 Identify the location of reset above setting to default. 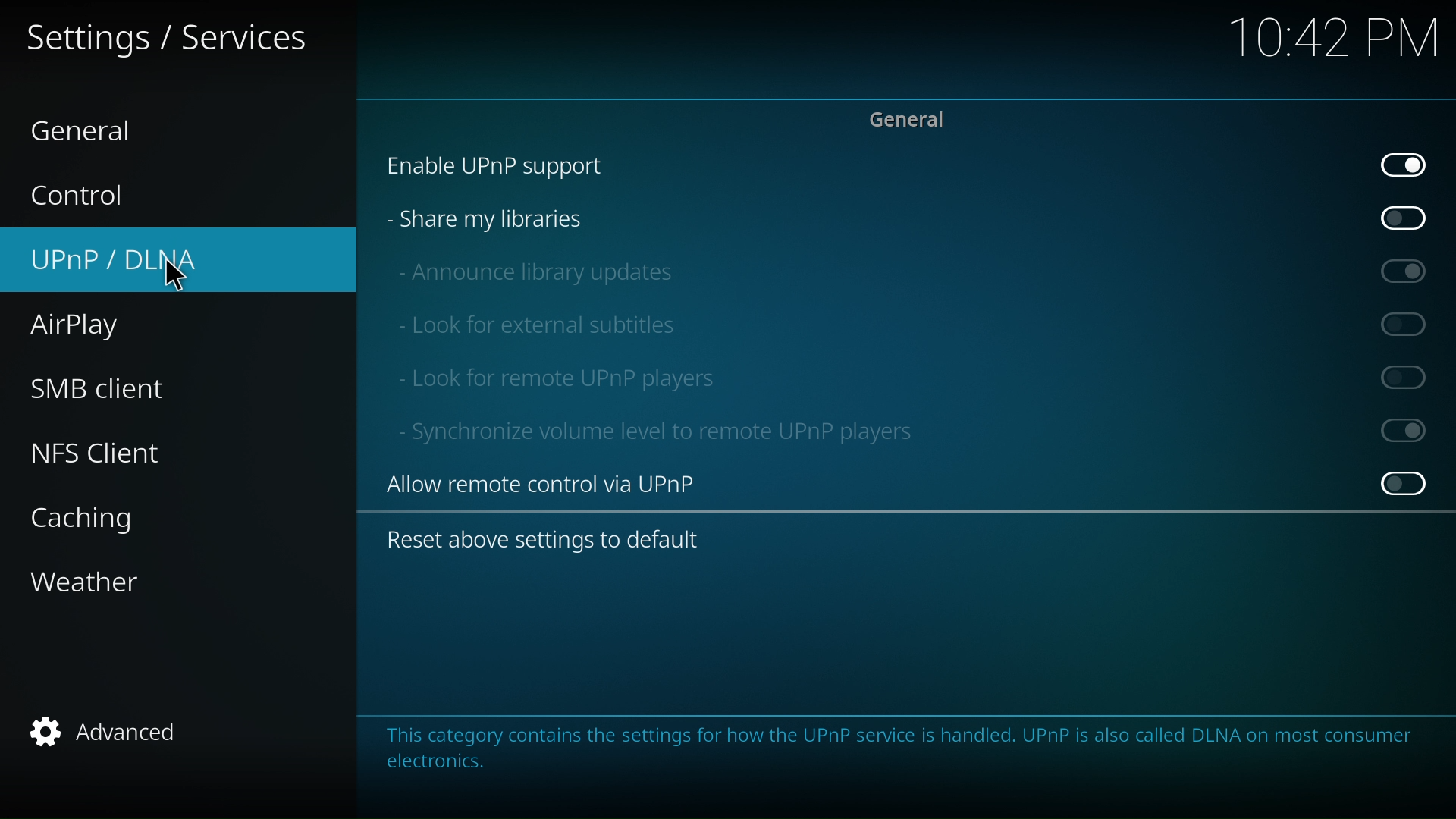
(555, 541).